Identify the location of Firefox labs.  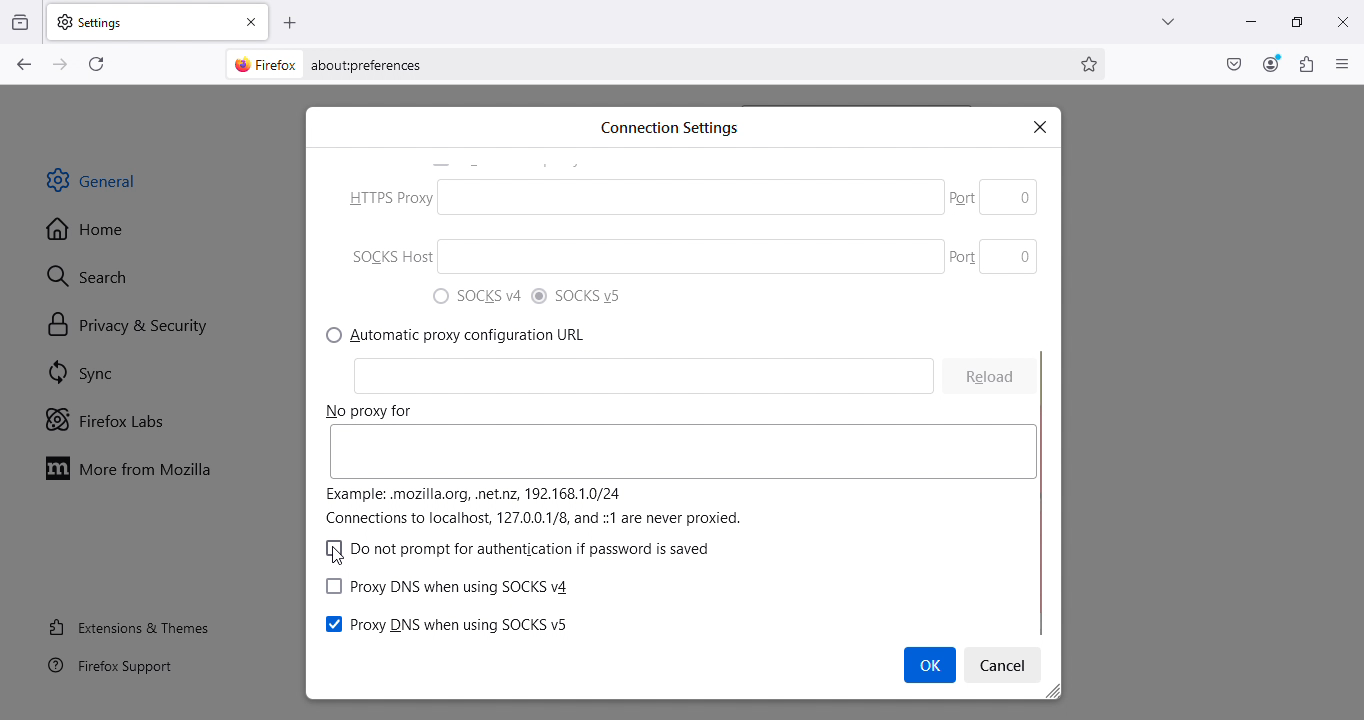
(108, 421).